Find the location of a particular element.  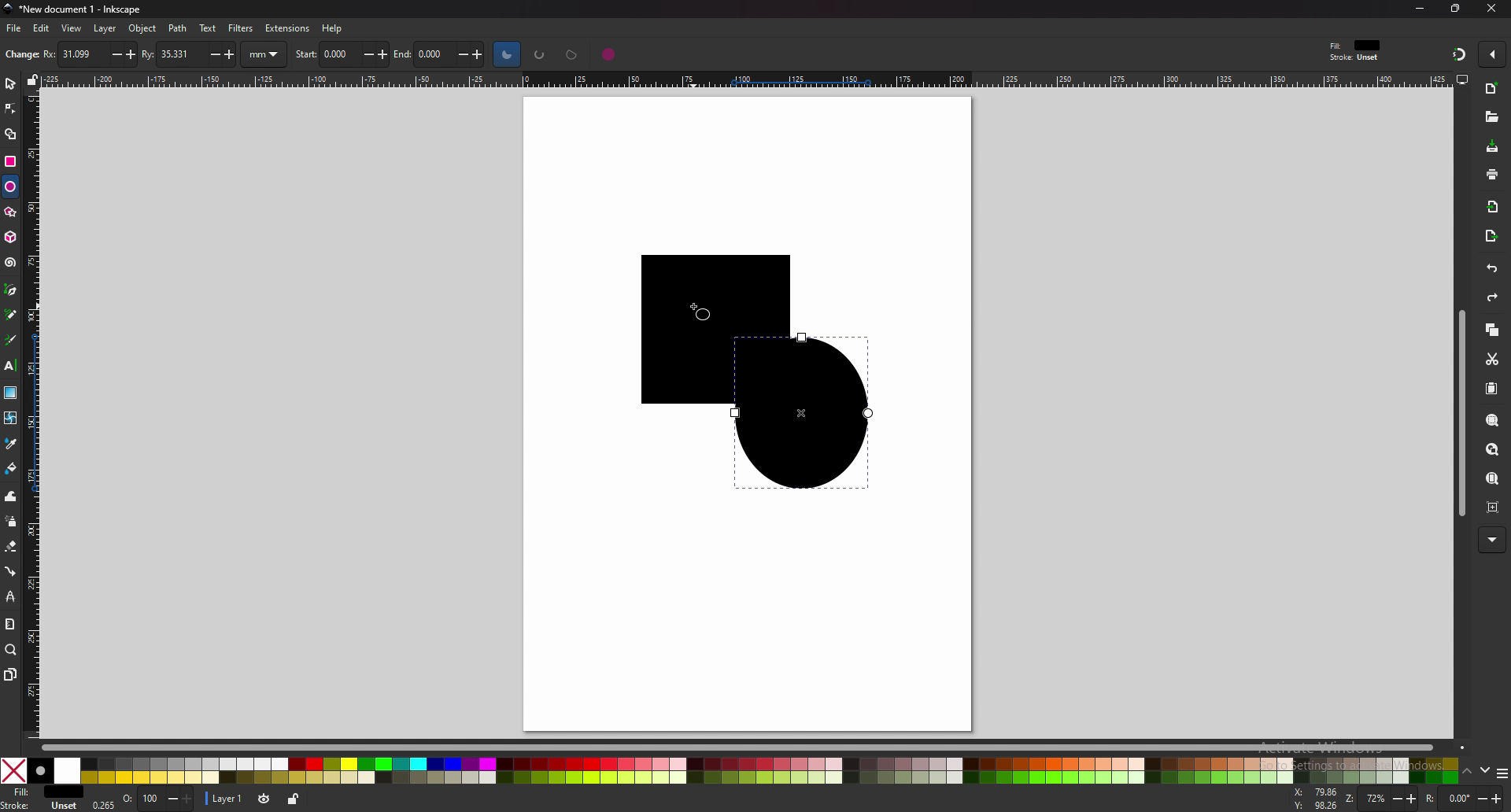

display options is located at coordinates (1461, 79).